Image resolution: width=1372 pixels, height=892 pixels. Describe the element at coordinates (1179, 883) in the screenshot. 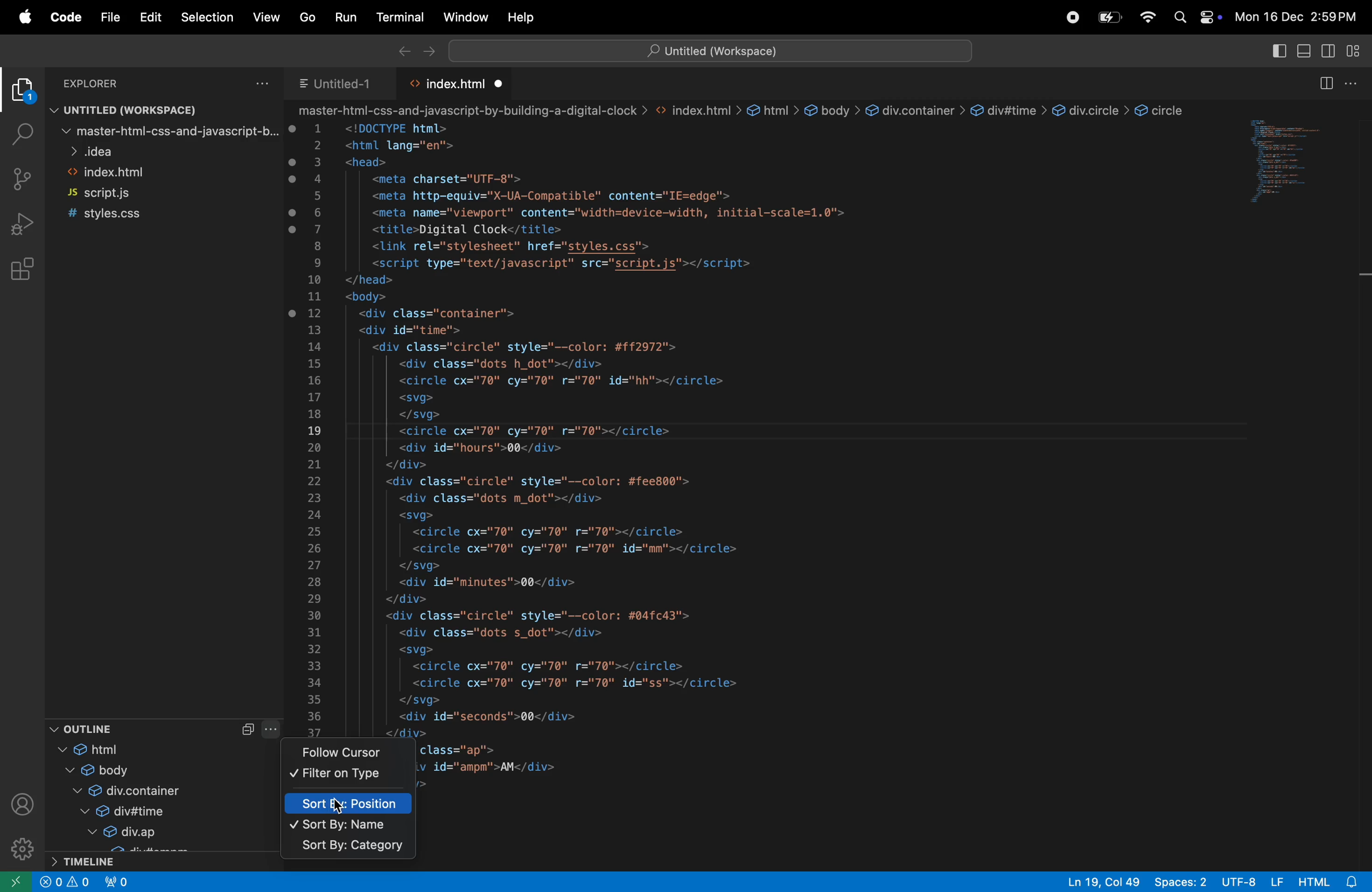

I see `spaces 2` at that location.